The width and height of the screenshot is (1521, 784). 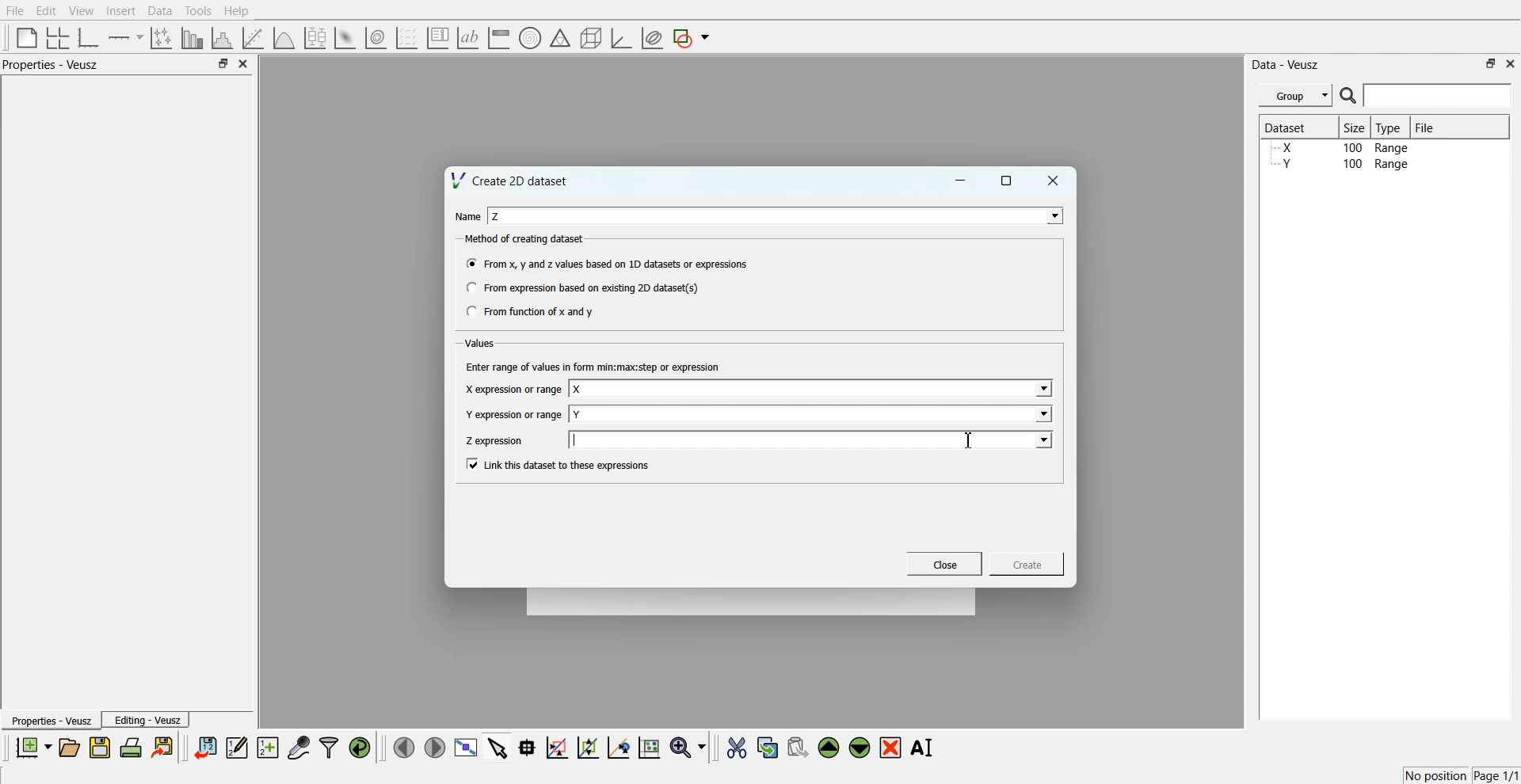 I want to click on 3D Graph, so click(x=621, y=38).